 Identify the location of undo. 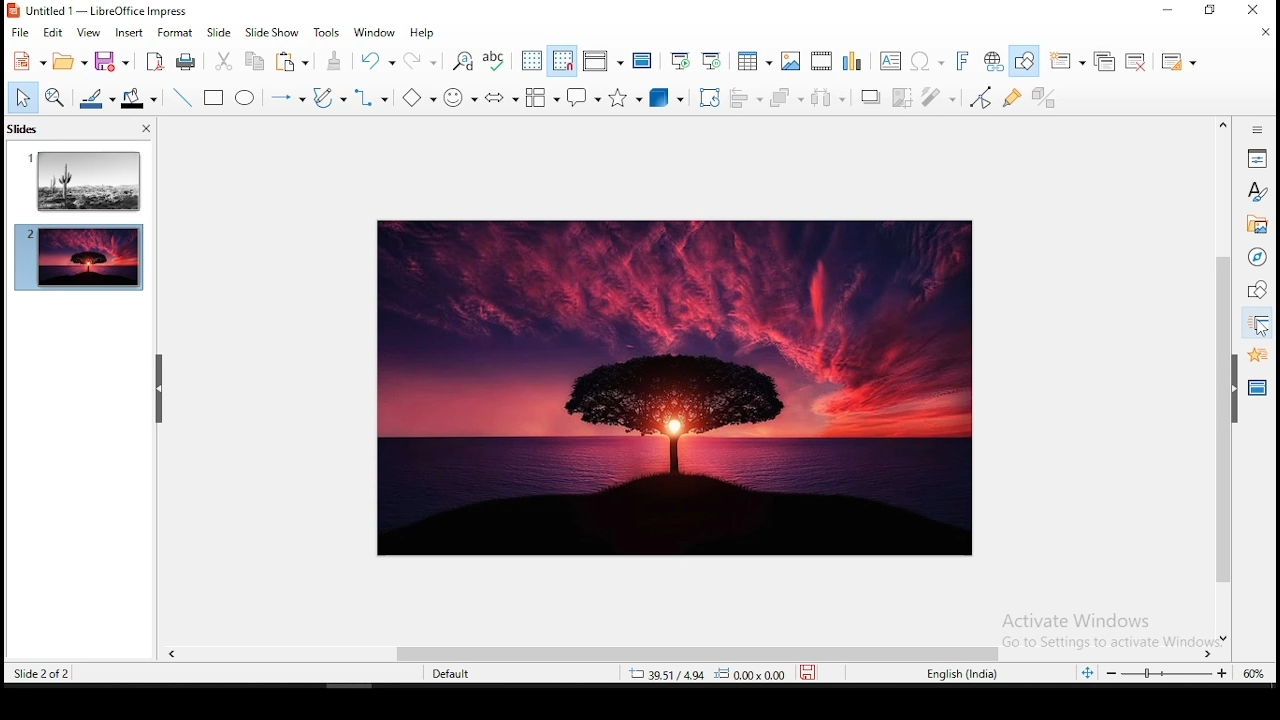
(379, 61).